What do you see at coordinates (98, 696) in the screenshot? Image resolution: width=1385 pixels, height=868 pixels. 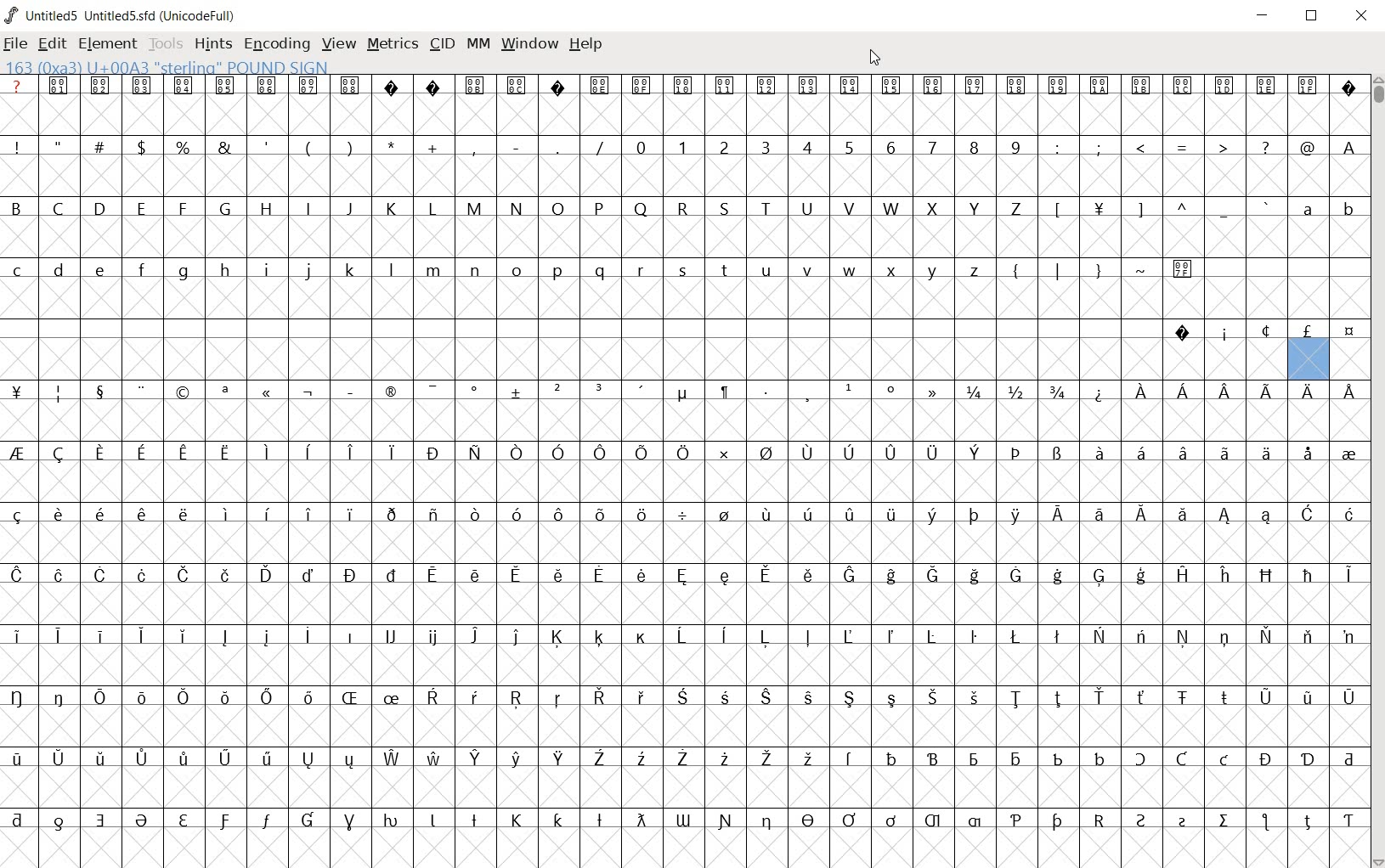 I see `Symbol` at bounding box center [98, 696].